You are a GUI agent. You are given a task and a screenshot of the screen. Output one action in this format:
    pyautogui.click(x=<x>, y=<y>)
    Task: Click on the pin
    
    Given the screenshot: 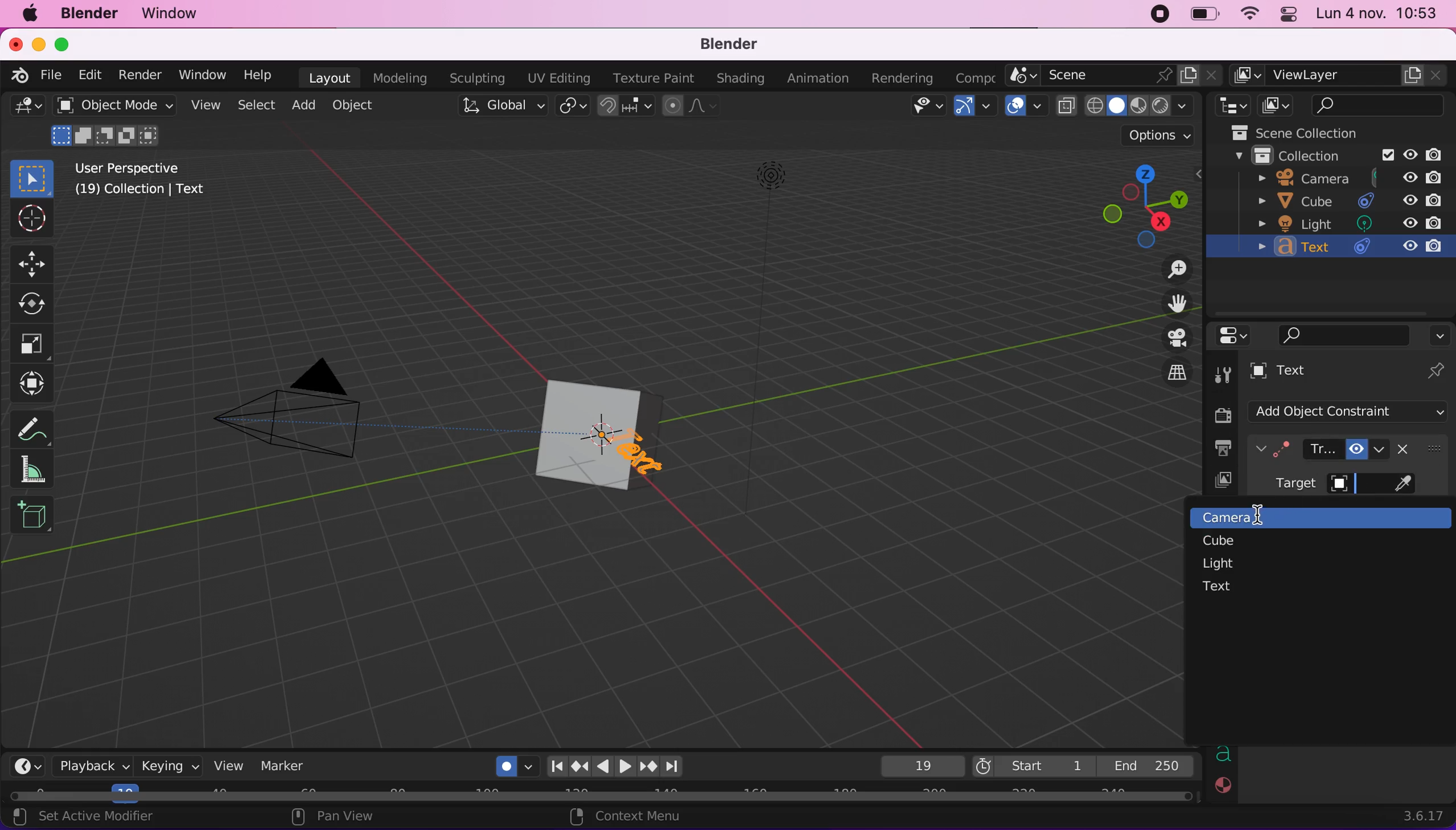 What is the action you would take?
    pyautogui.click(x=1436, y=370)
    